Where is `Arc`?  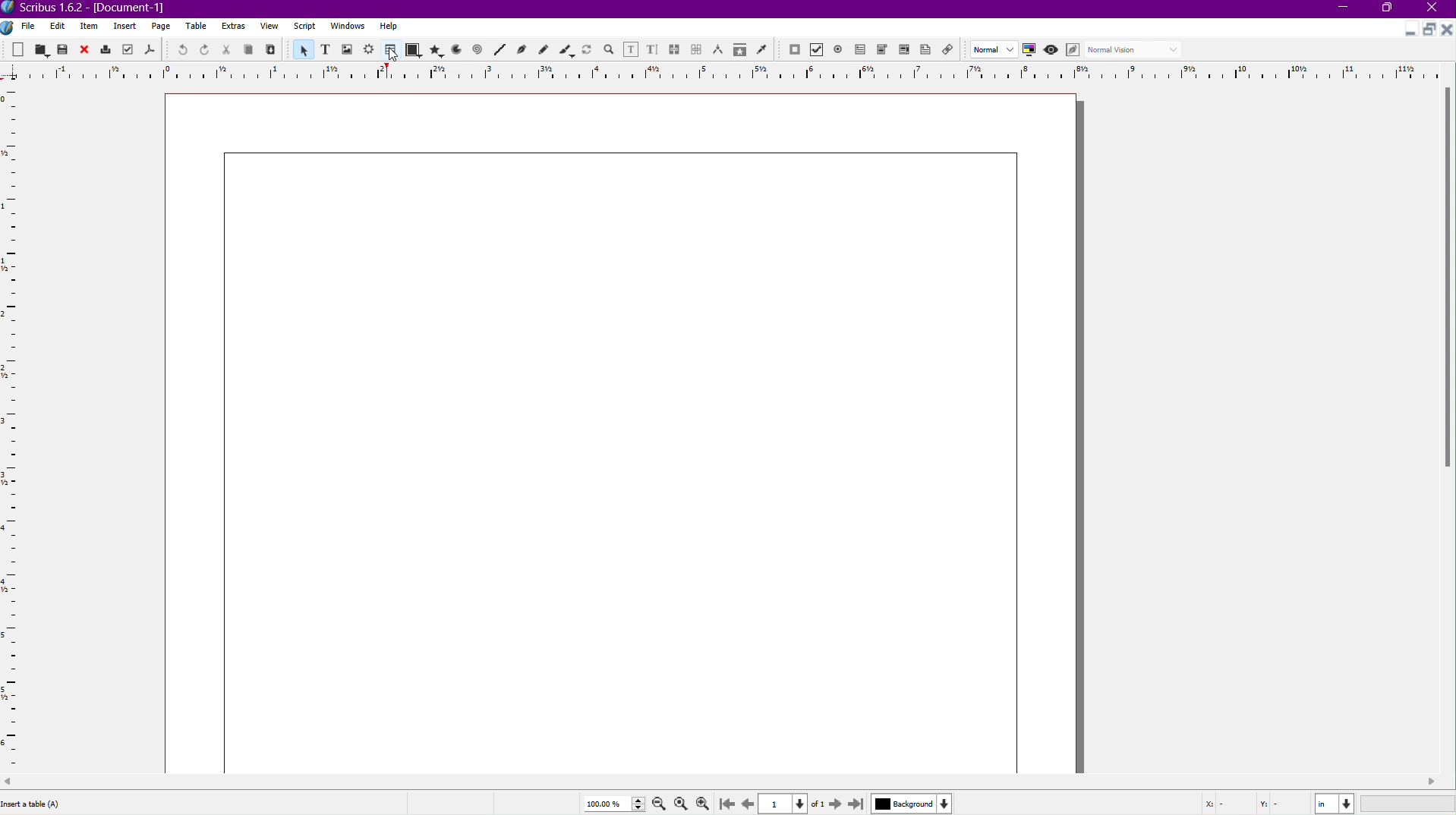
Arc is located at coordinates (456, 51).